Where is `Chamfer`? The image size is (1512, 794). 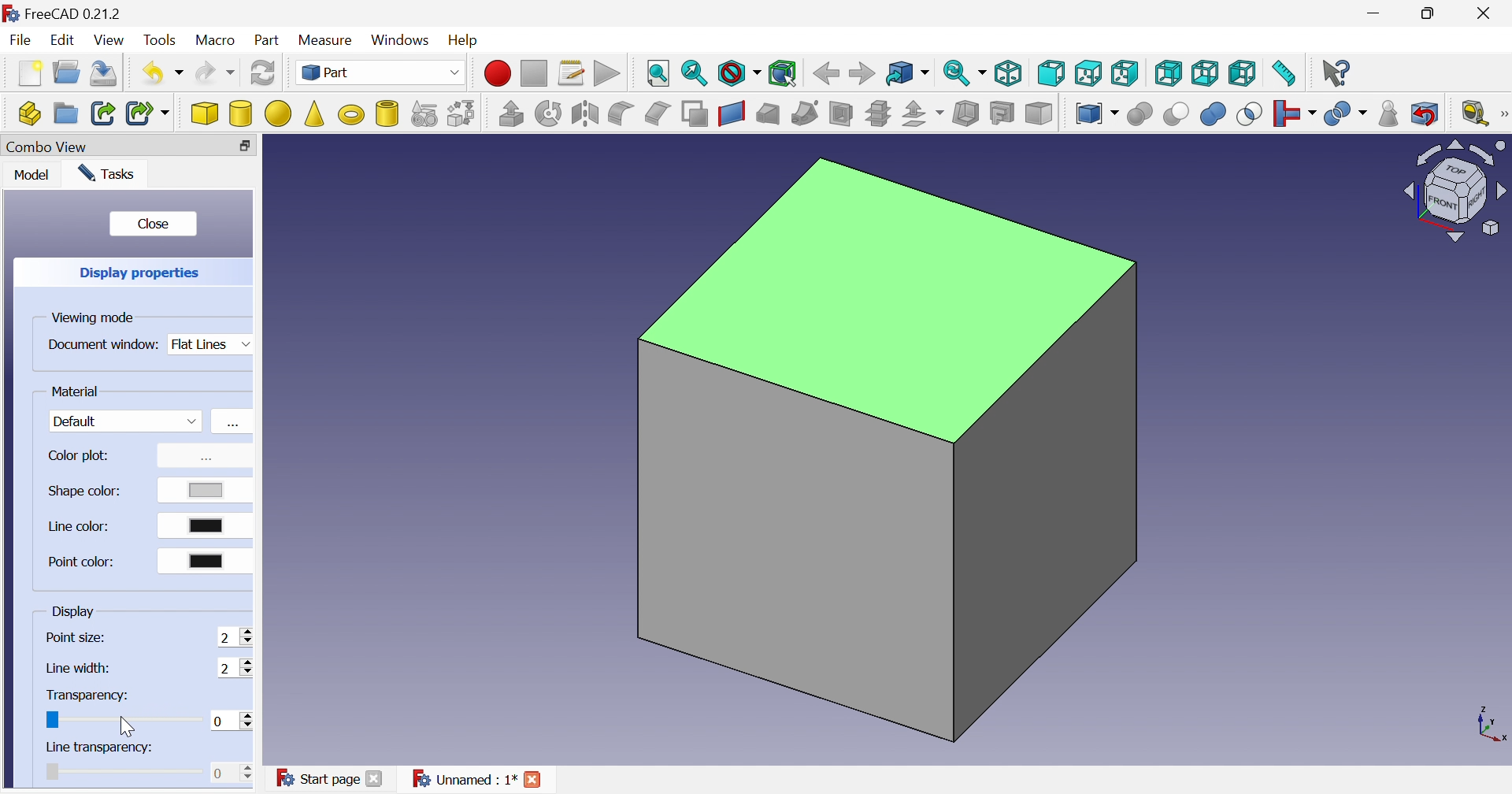 Chamfer is located at coordinates (660, 113).